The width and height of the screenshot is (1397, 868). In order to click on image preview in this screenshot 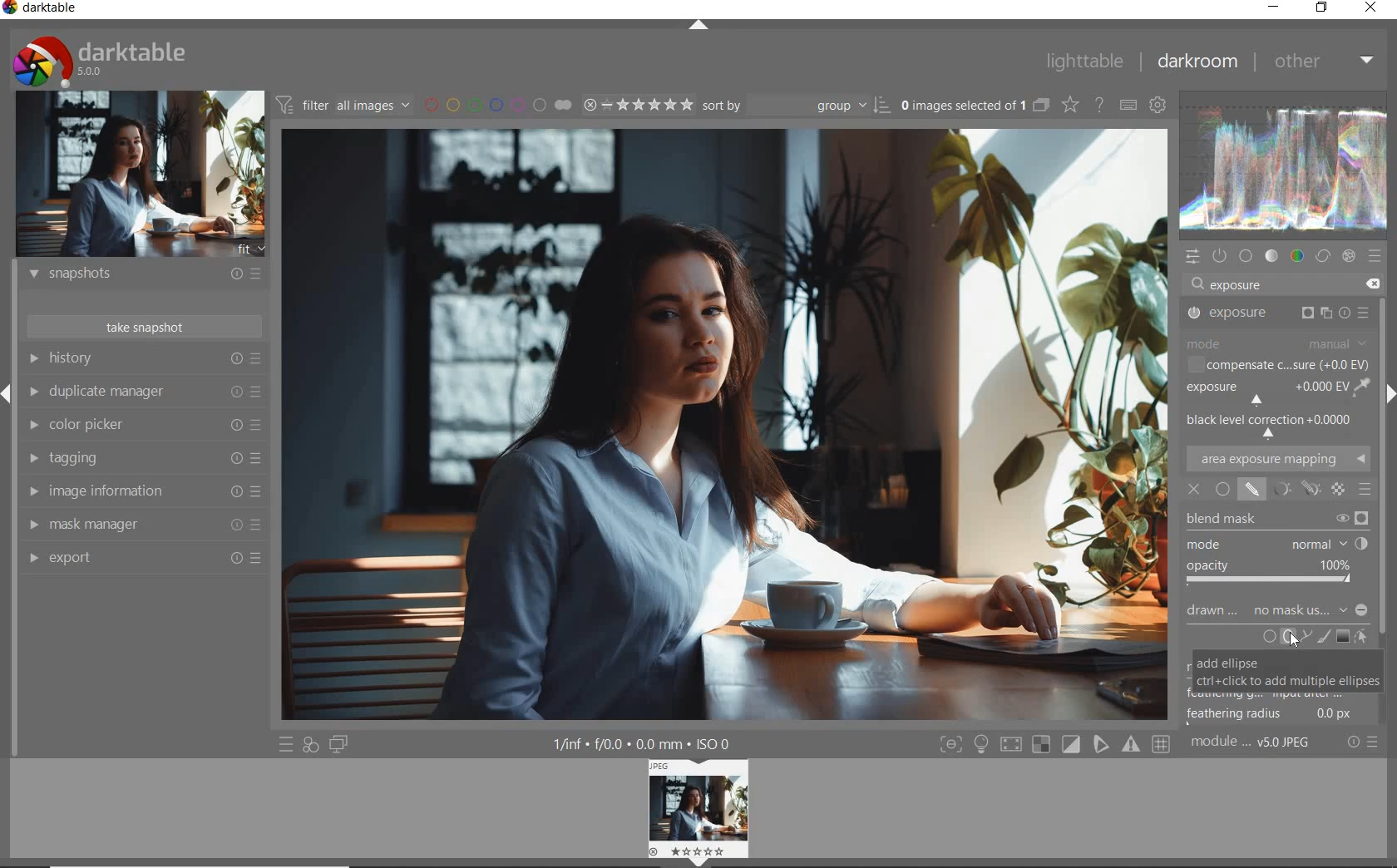, I will do `click(695, 812)`.